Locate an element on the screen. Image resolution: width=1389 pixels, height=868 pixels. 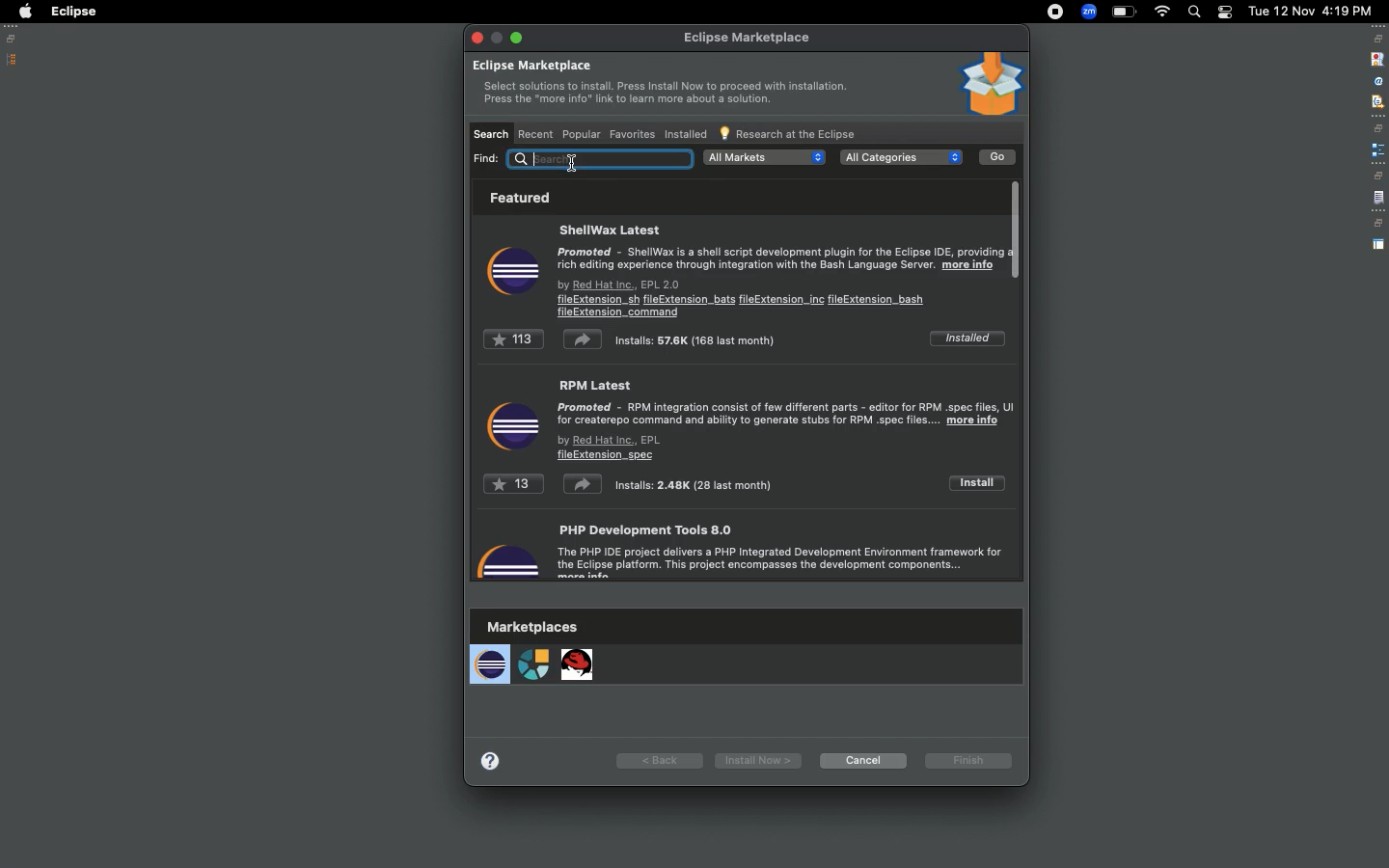
Date/time is located at coordinates (1312, 10).